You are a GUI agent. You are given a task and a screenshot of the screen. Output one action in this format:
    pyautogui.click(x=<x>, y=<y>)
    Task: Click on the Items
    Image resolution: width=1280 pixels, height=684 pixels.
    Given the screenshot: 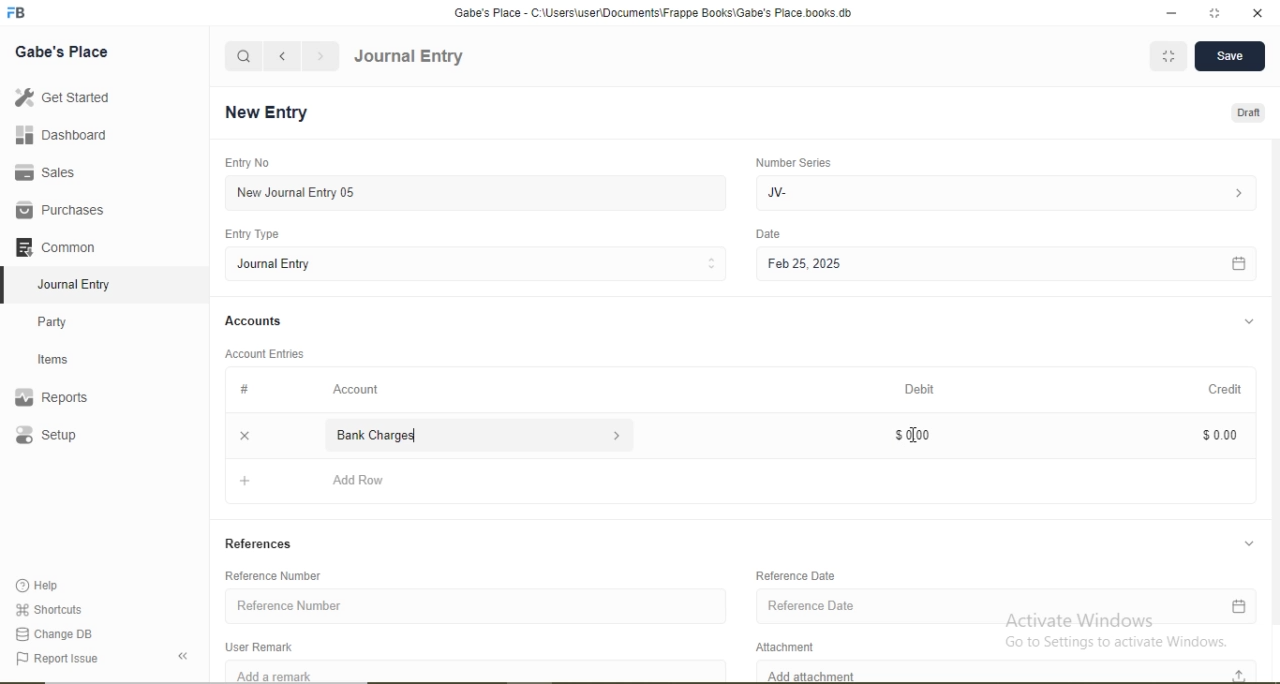 What is the action you would take?
    pyautogui.click(x=65, y=359)
    